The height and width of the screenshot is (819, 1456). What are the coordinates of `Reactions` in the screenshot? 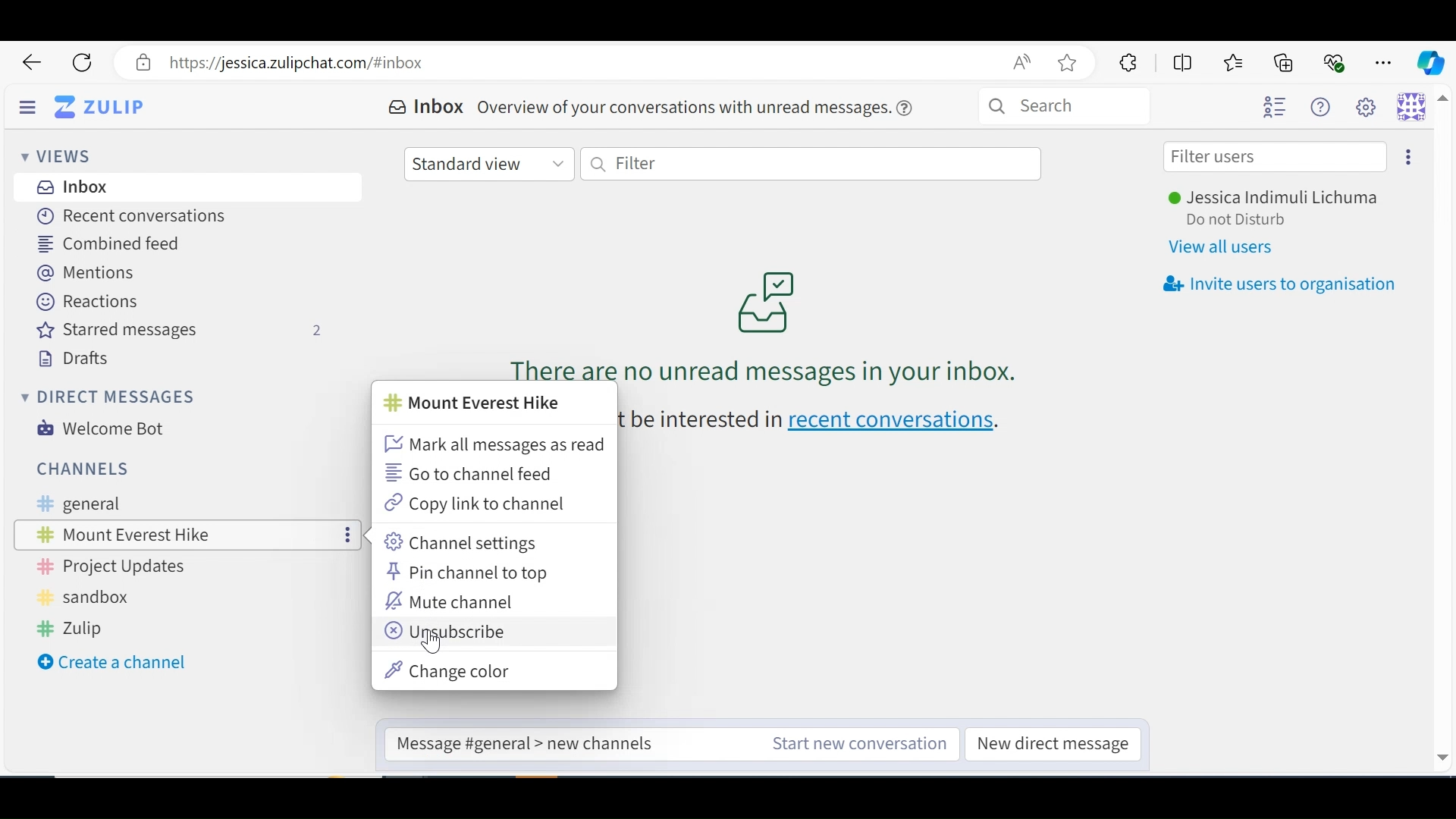 It's located at (89, 301).